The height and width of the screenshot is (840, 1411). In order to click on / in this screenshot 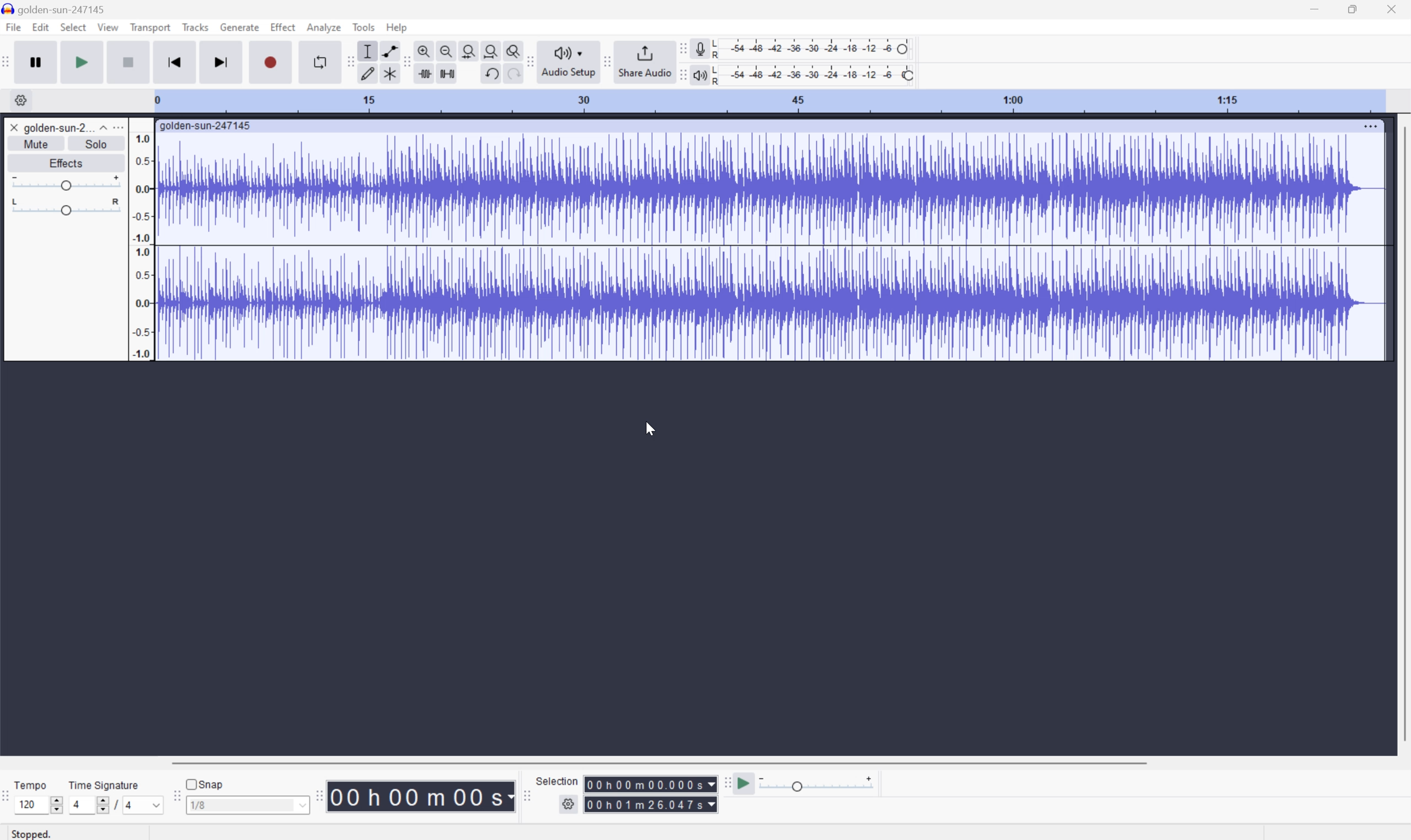, I will do `click(115, 804)`.